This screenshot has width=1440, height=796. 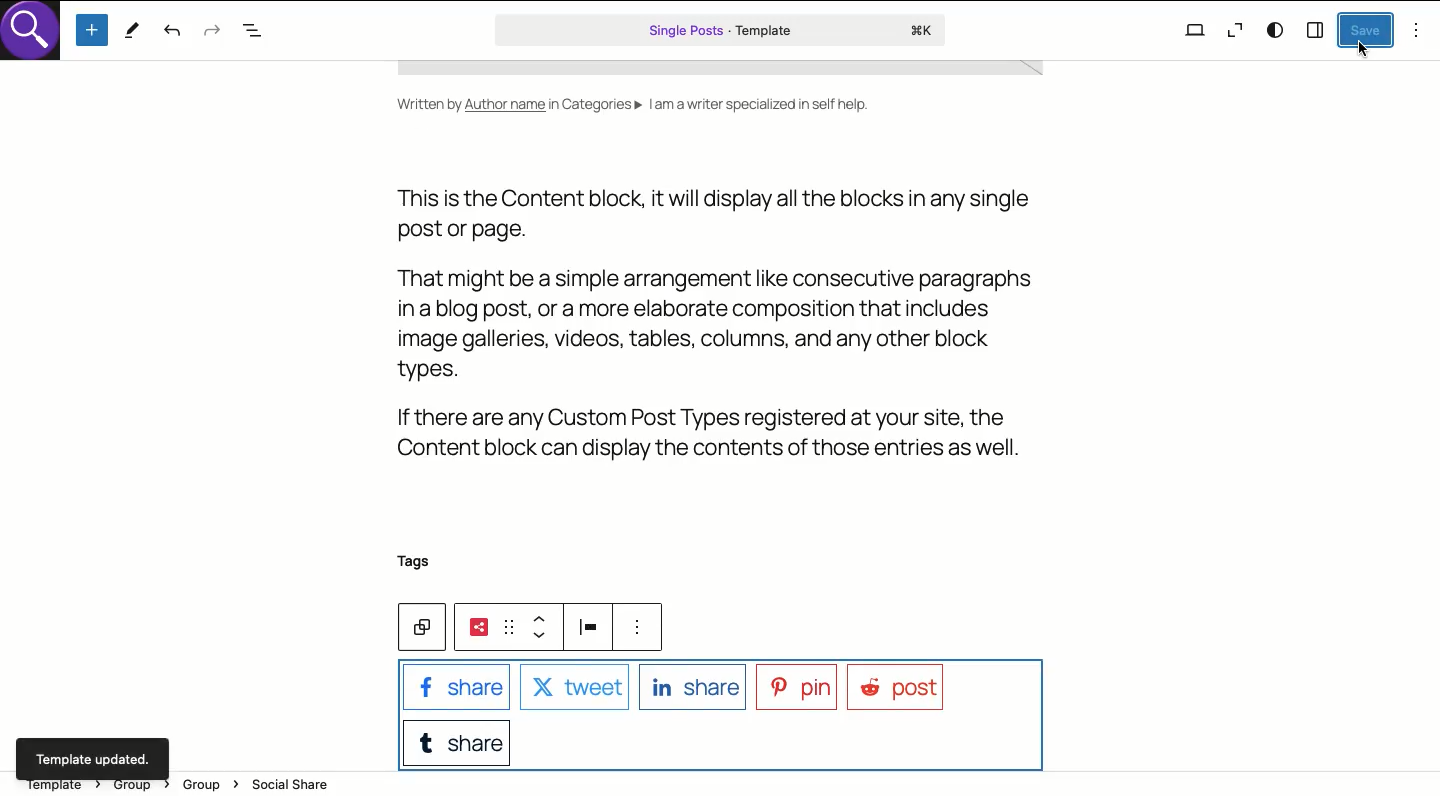 I want to click on Document overview, so click(x=256, y=32).